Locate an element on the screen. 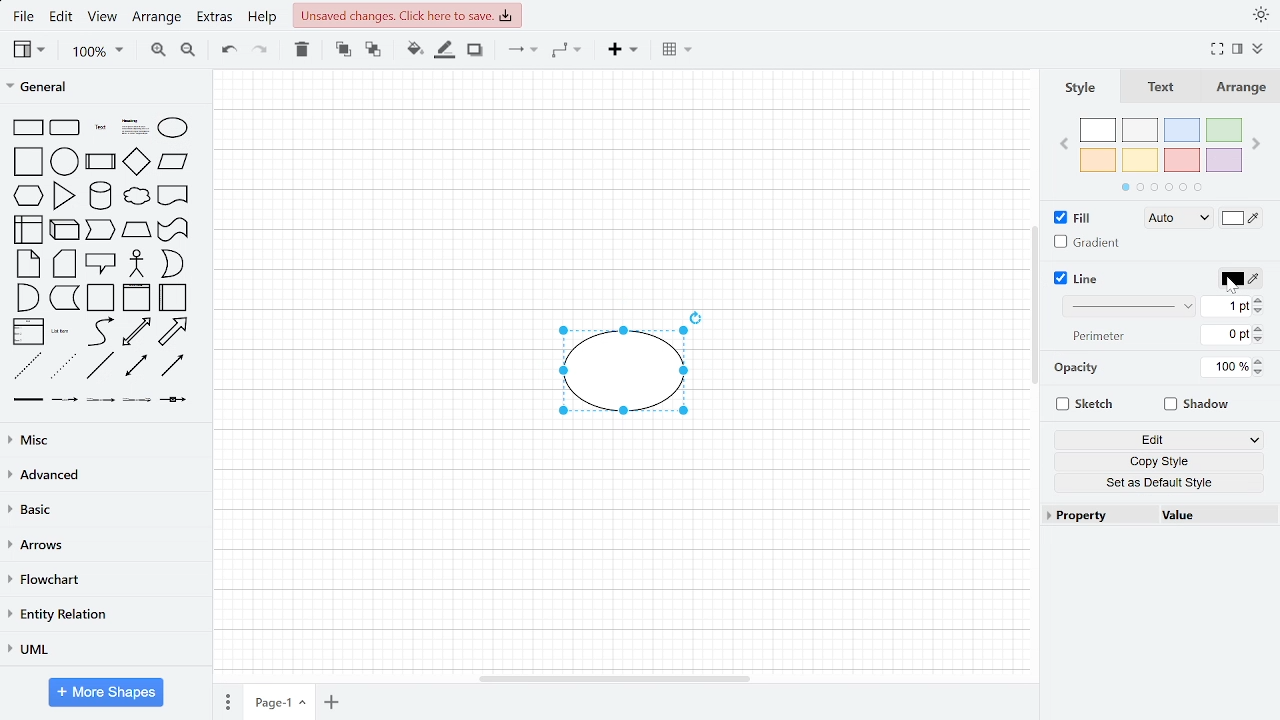  ash is located at coordinates (1139, 130).